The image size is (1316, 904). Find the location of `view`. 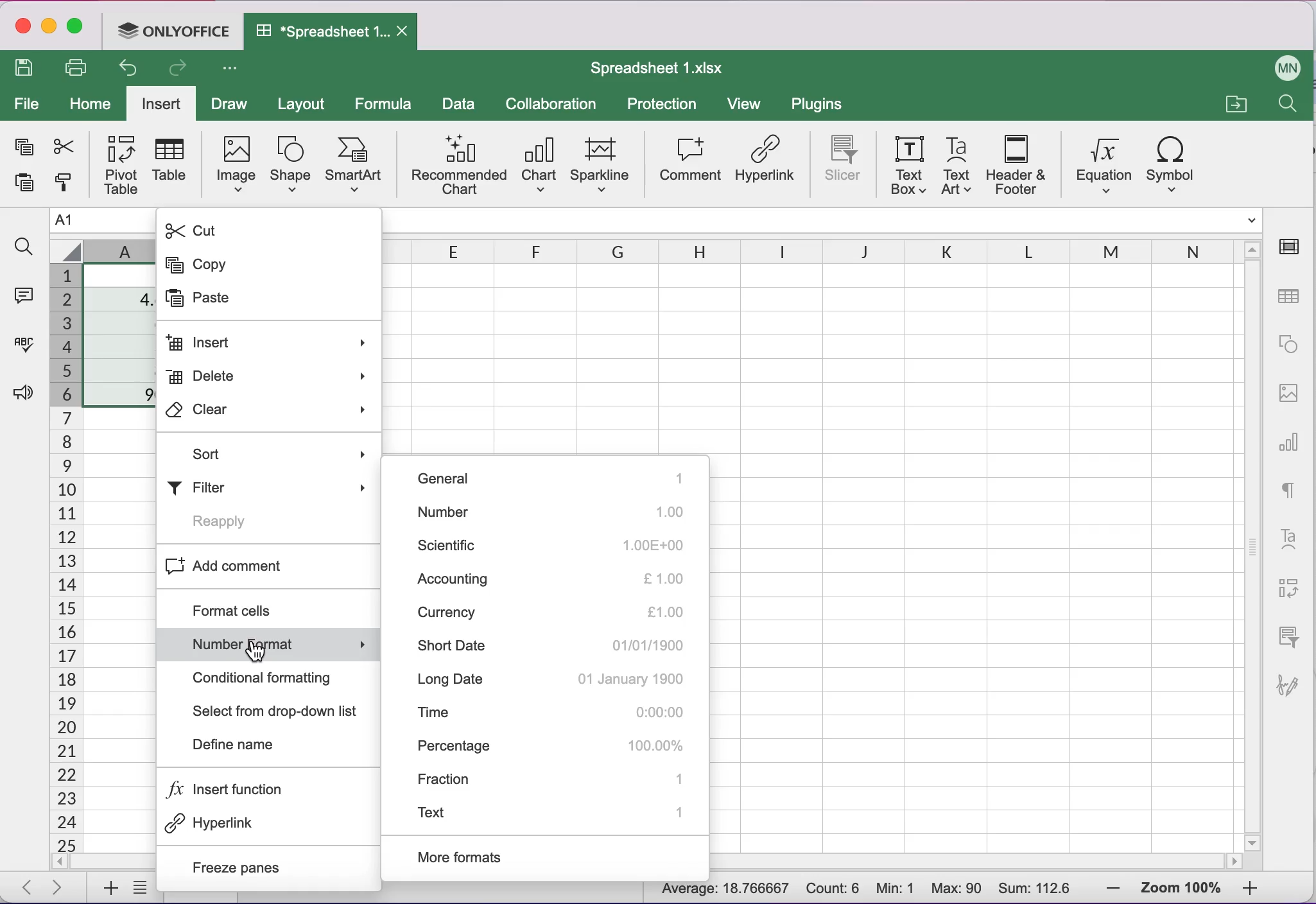

view is located at coordinates (745, 103).